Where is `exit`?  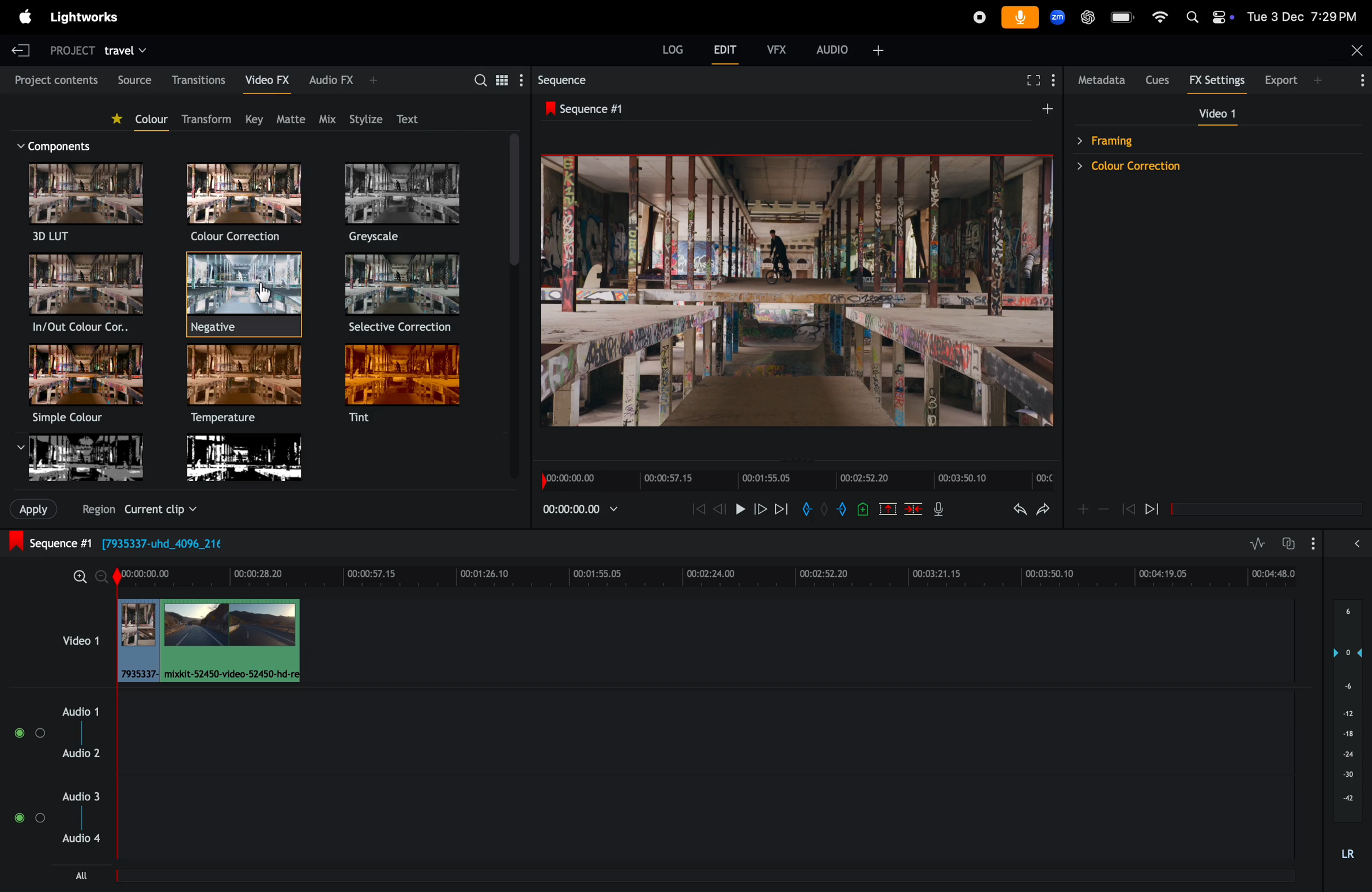 exit is located at coordinates (22, 49).